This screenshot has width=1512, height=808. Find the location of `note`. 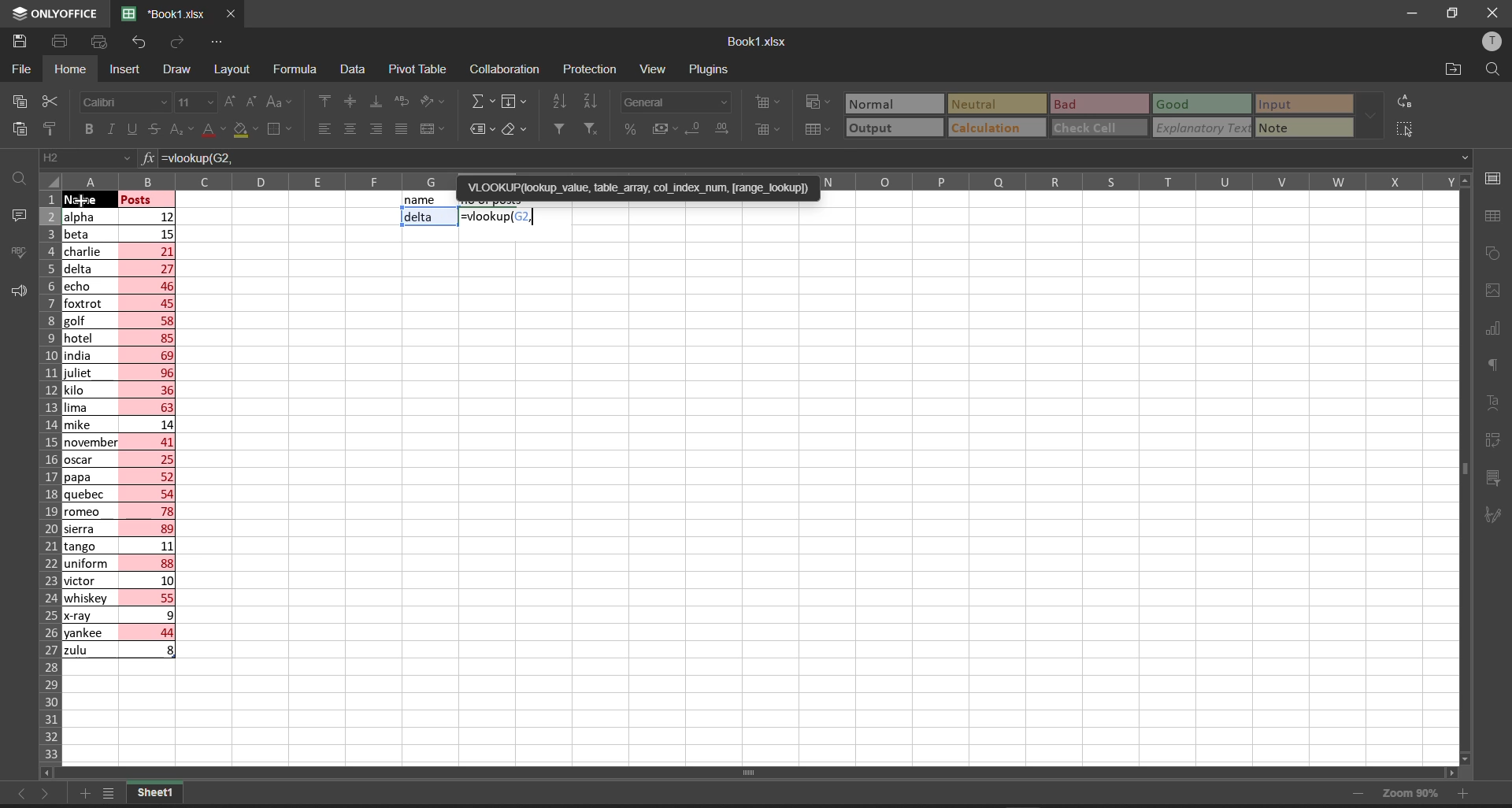

note is located at coordinates (1285, 126).